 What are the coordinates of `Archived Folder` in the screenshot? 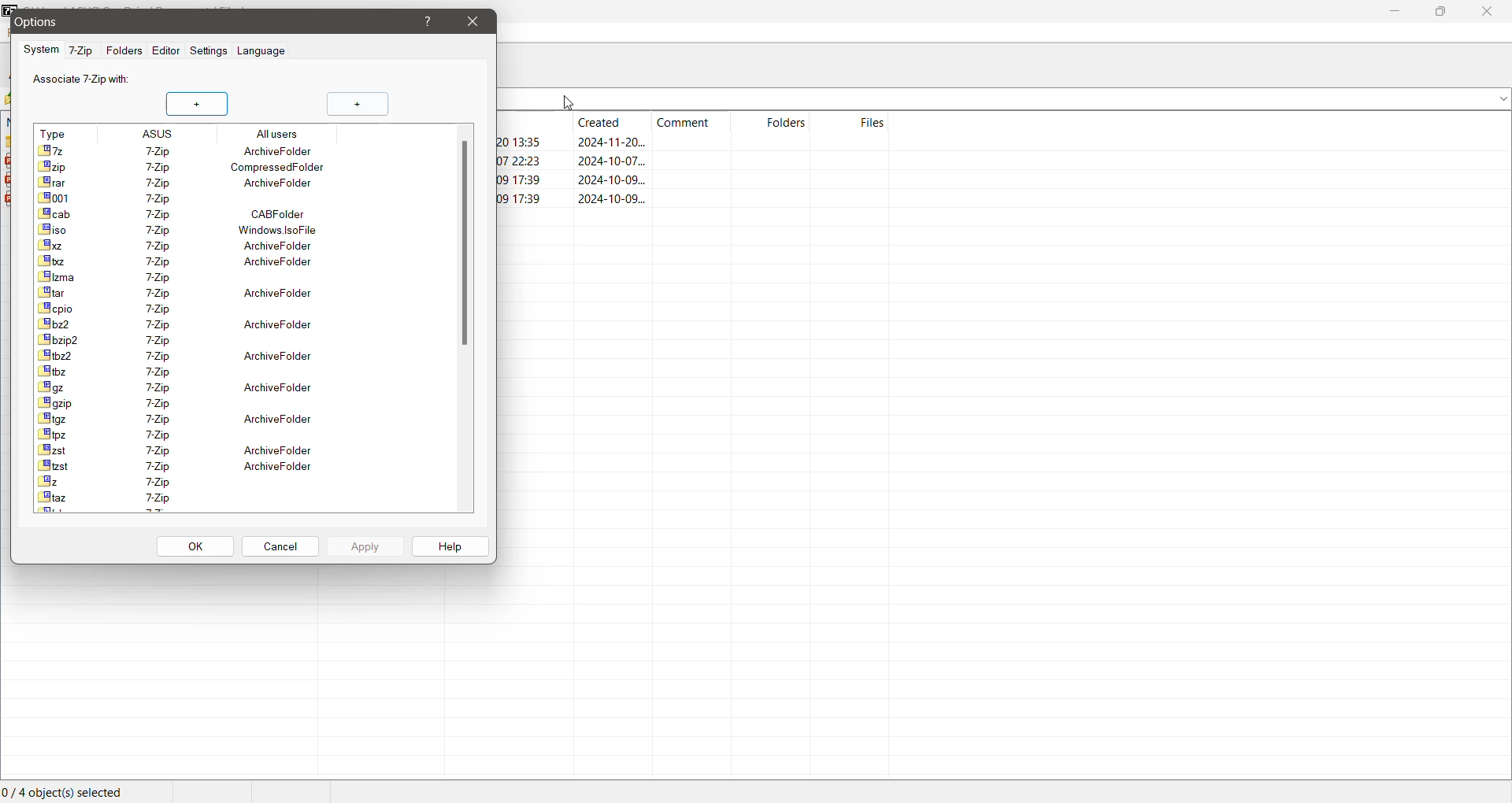 It's located at (197, 465).